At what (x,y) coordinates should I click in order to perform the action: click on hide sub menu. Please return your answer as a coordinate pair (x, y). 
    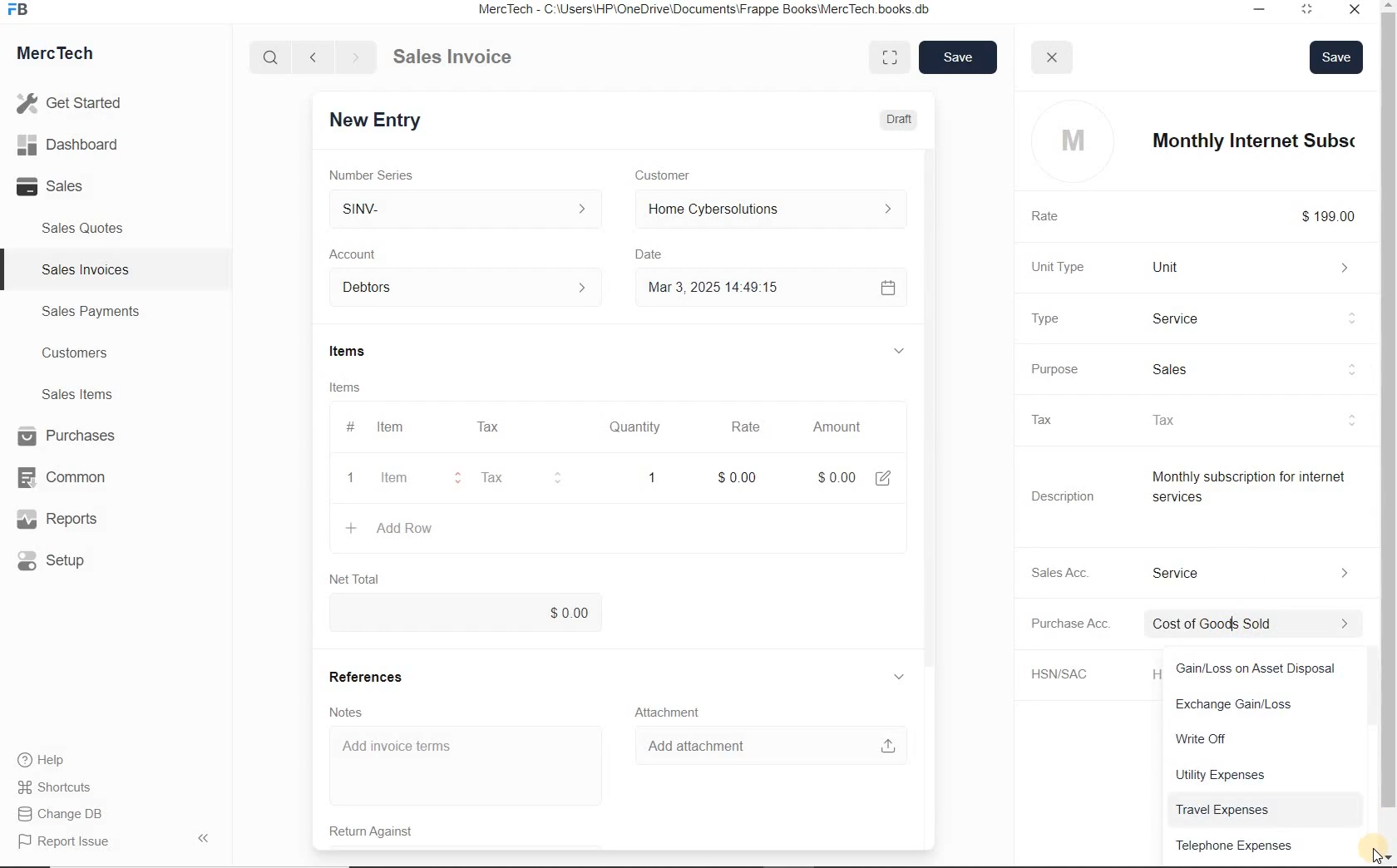
    Looking at the image, I should click on (907, 352).